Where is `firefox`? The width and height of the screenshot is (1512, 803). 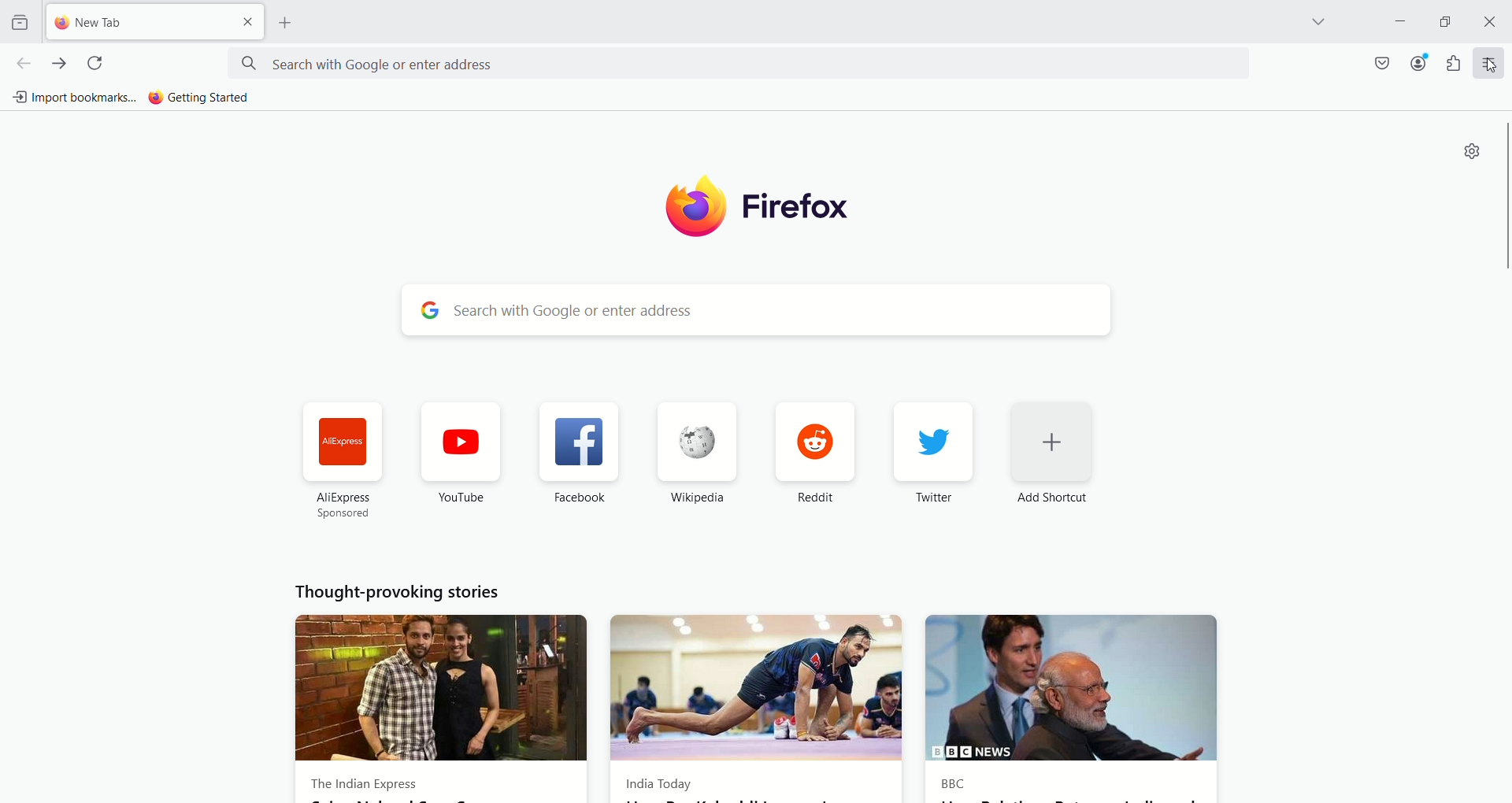 firefox is located at coordinates (812, 204).